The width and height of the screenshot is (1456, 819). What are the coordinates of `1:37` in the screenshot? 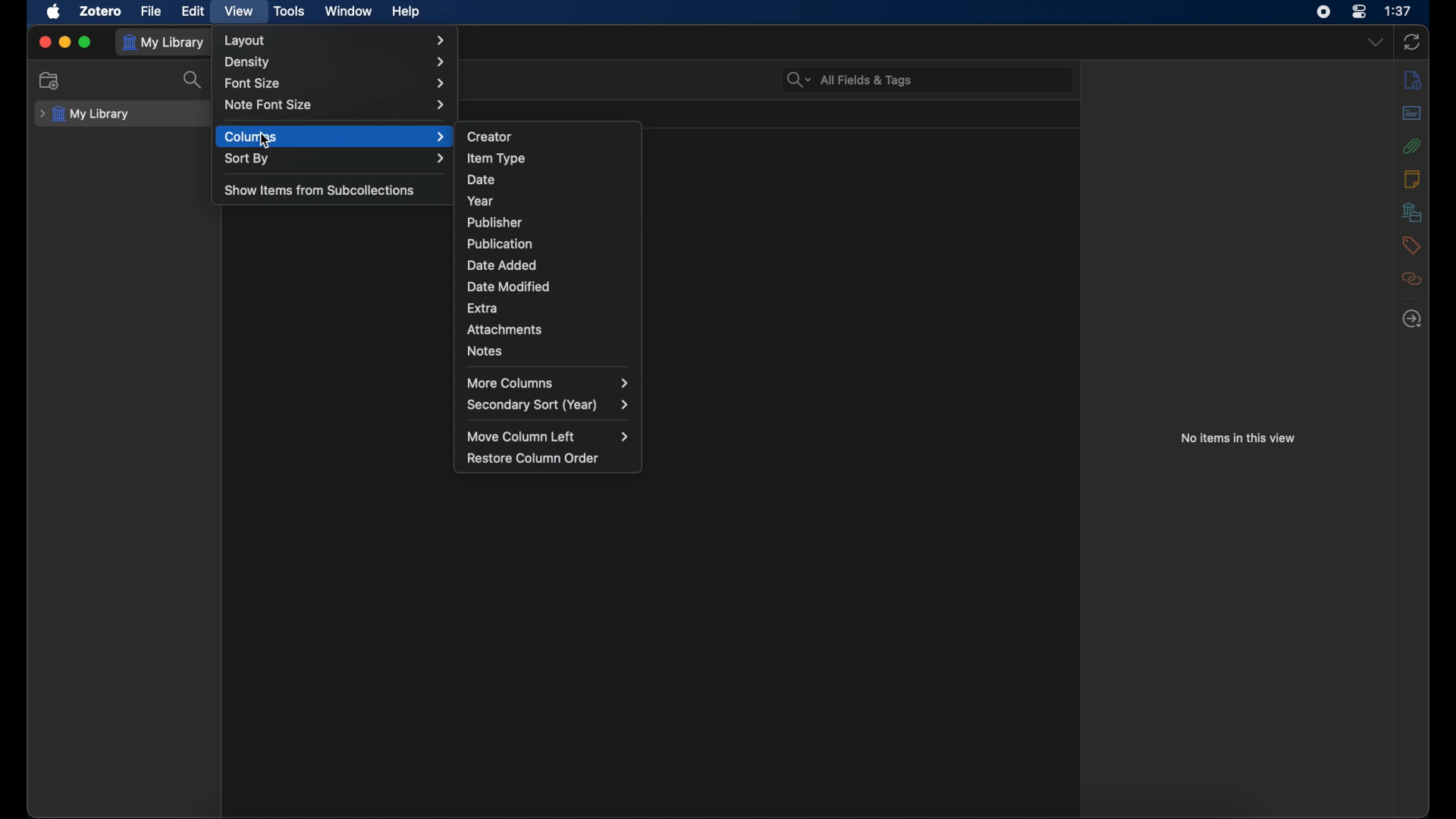 It's located at (1398, 11).